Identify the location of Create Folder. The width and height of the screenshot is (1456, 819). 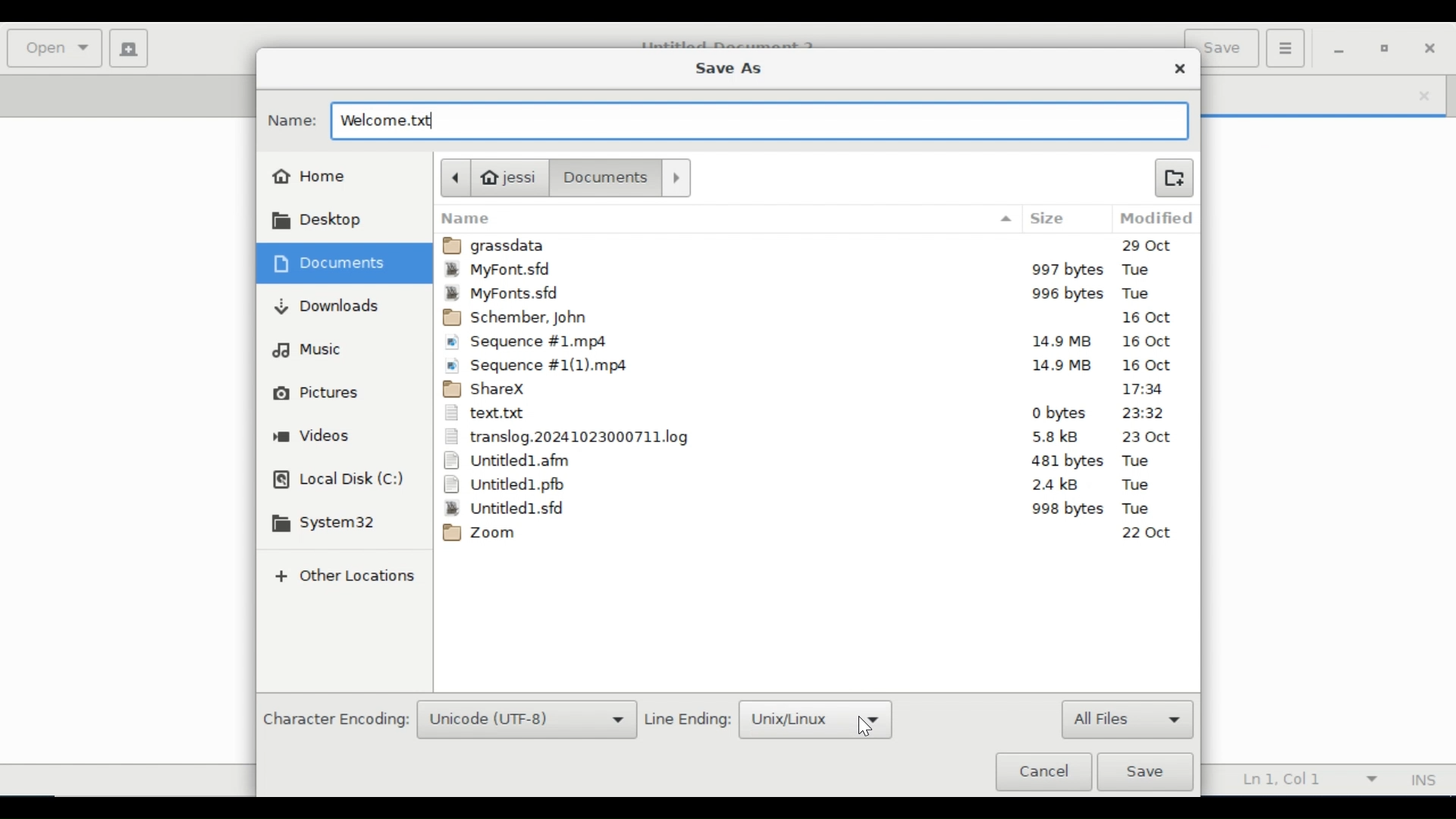
(1173, 177).